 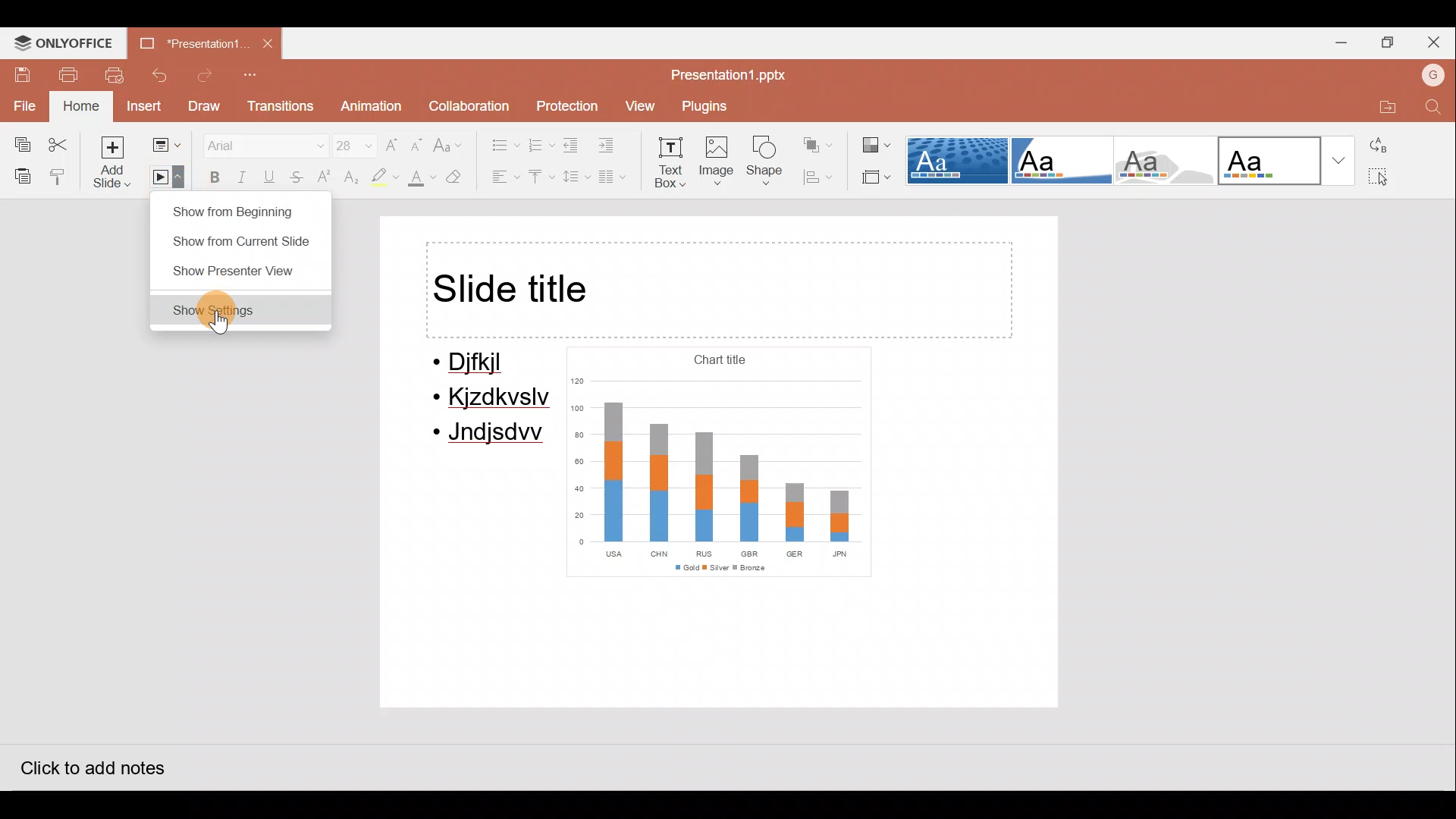 I want to click on Select slide size, so click(x=875, y=178).